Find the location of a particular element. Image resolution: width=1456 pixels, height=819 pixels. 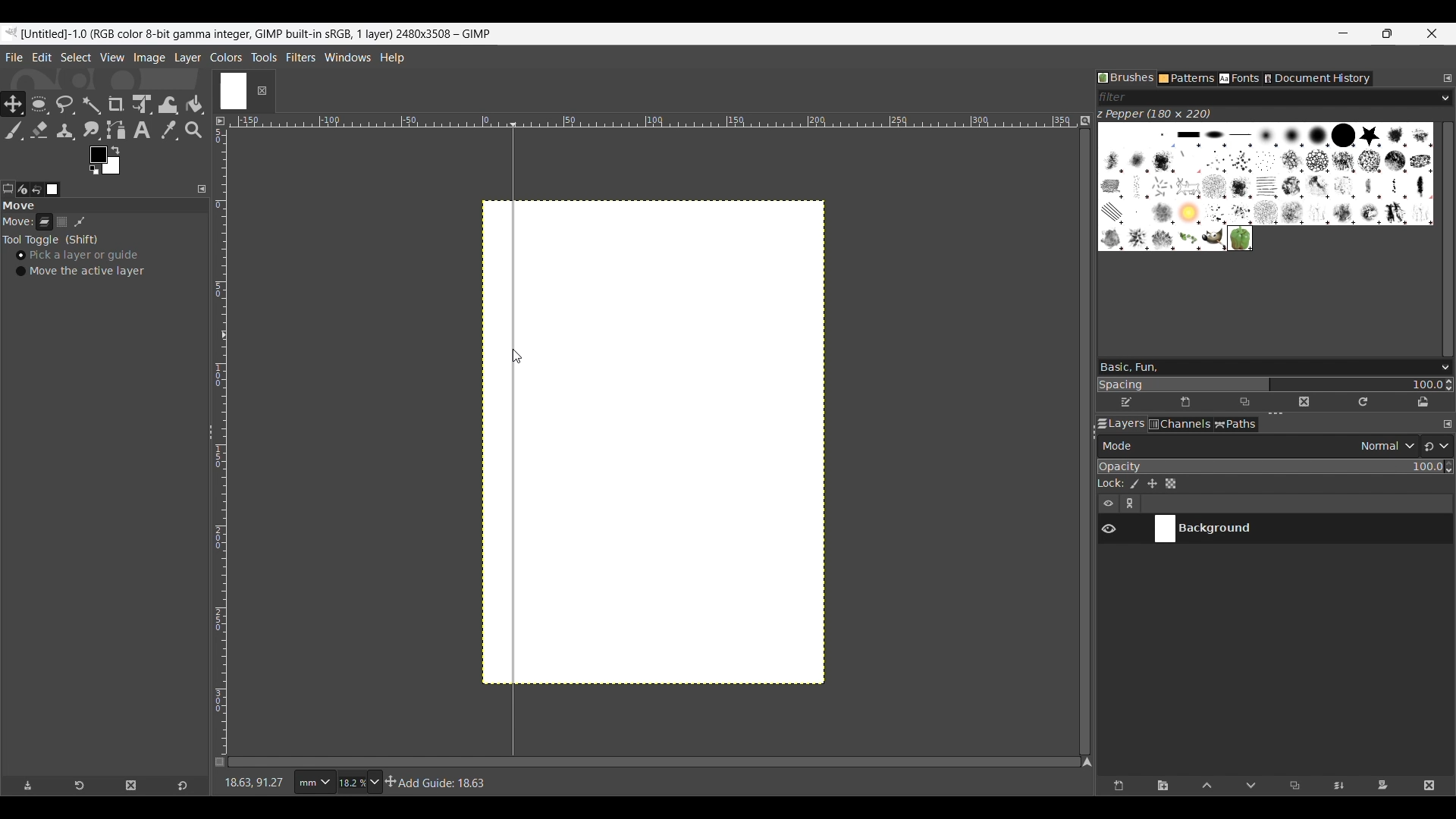

Horizontal euler is located at coordinates (652, 119).